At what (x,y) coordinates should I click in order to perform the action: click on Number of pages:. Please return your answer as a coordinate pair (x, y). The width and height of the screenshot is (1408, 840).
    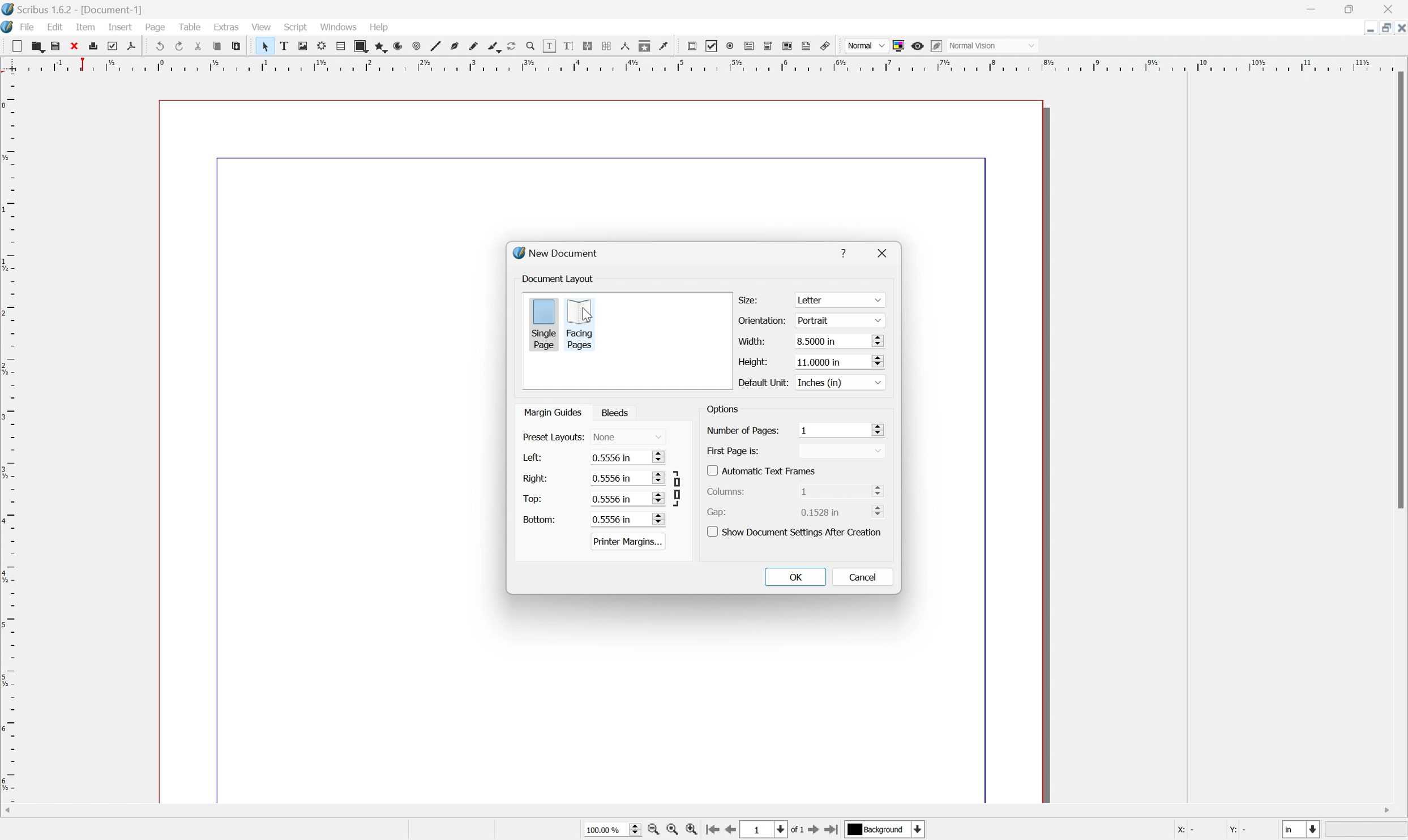
    Looking at the image, I should click on (742, 430).